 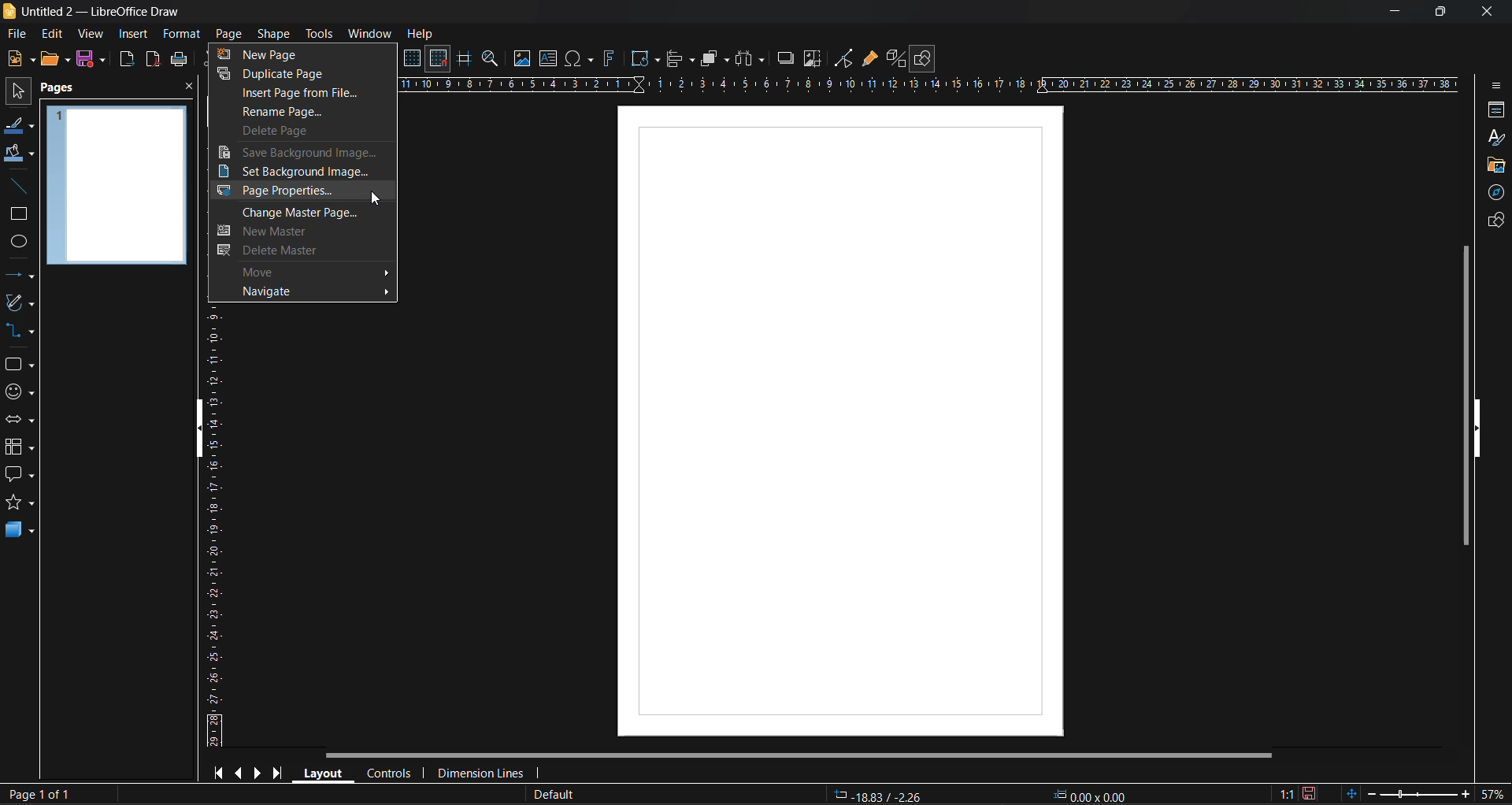 What do you see at coordinates (241, 772) in the screenshot?
I see `previous` at bounding box center [241, 772].